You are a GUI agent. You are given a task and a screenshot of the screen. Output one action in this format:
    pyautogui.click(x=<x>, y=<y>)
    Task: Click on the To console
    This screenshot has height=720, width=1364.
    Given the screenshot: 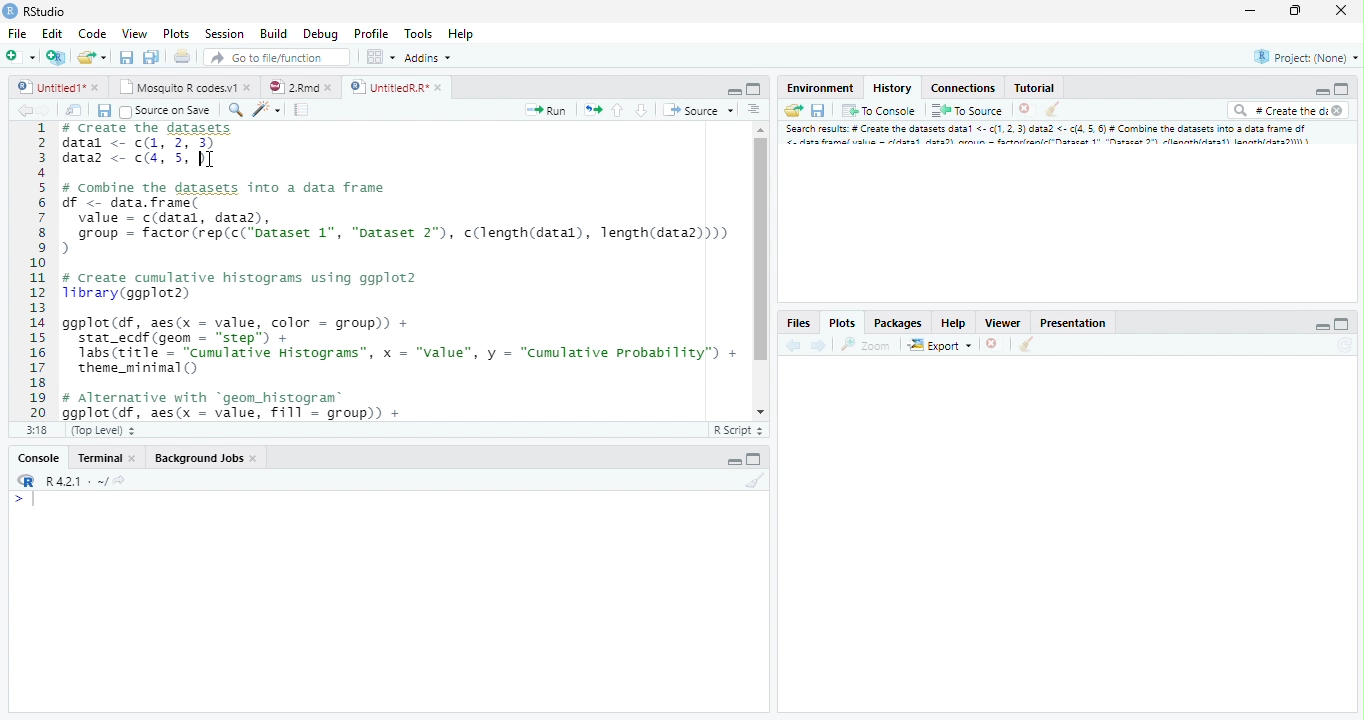 What is the action you would take?
    pyautogui.click(x=881, y=111)
    